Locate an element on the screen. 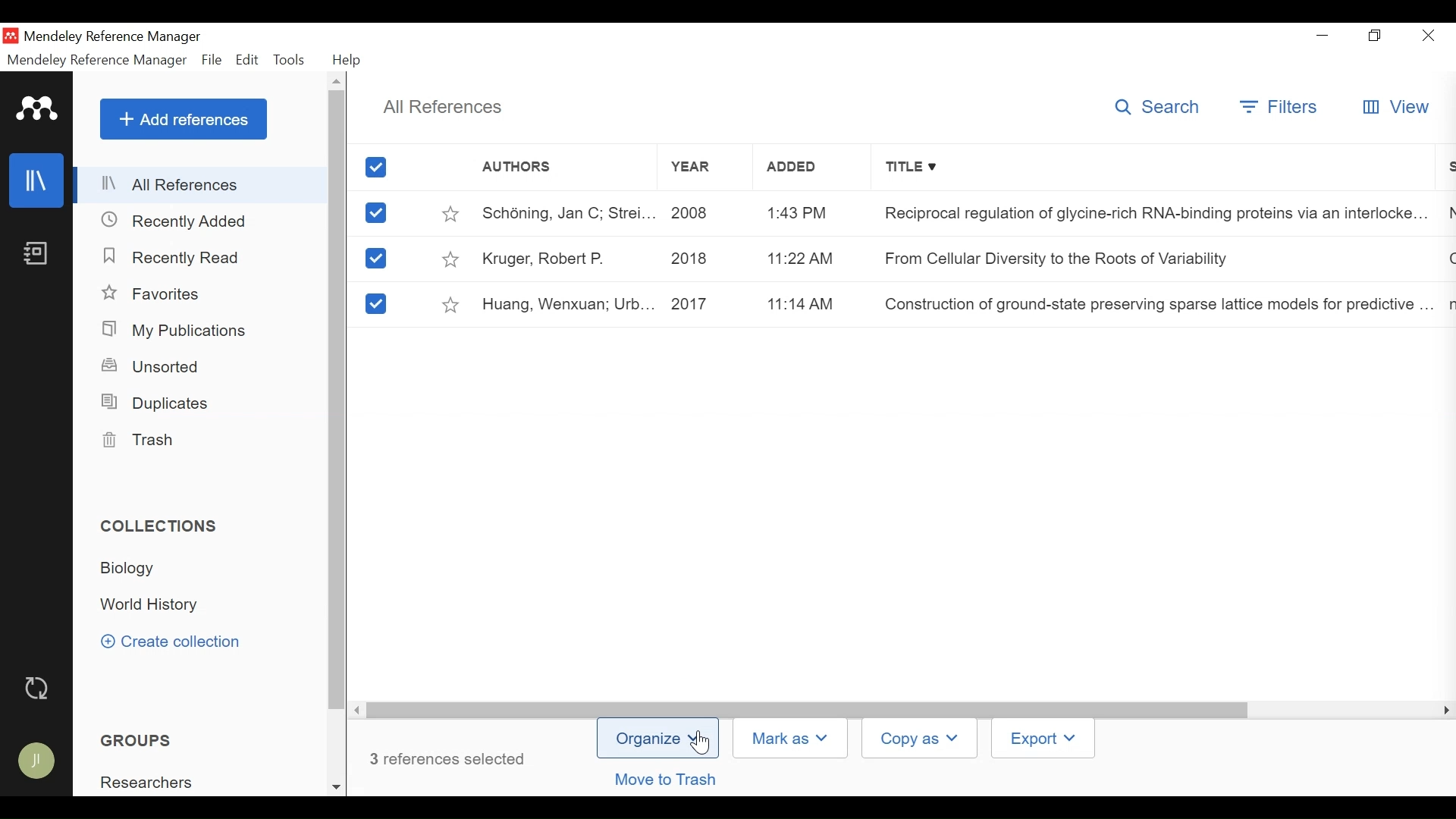 The image size is (1456, 819). Filters is located at coordinates (1280, 108).